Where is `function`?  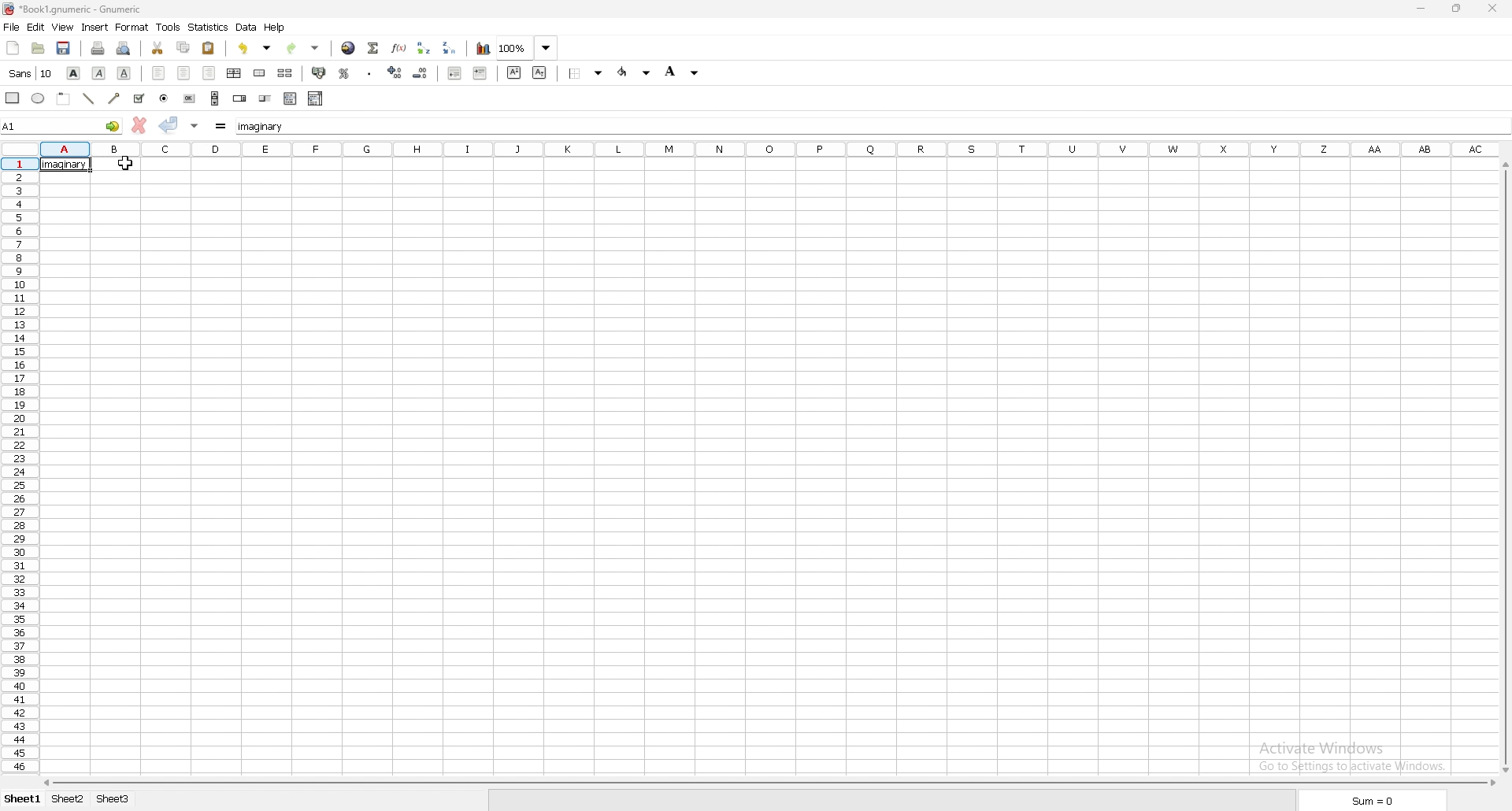
function is located at coordinates (399, 47).